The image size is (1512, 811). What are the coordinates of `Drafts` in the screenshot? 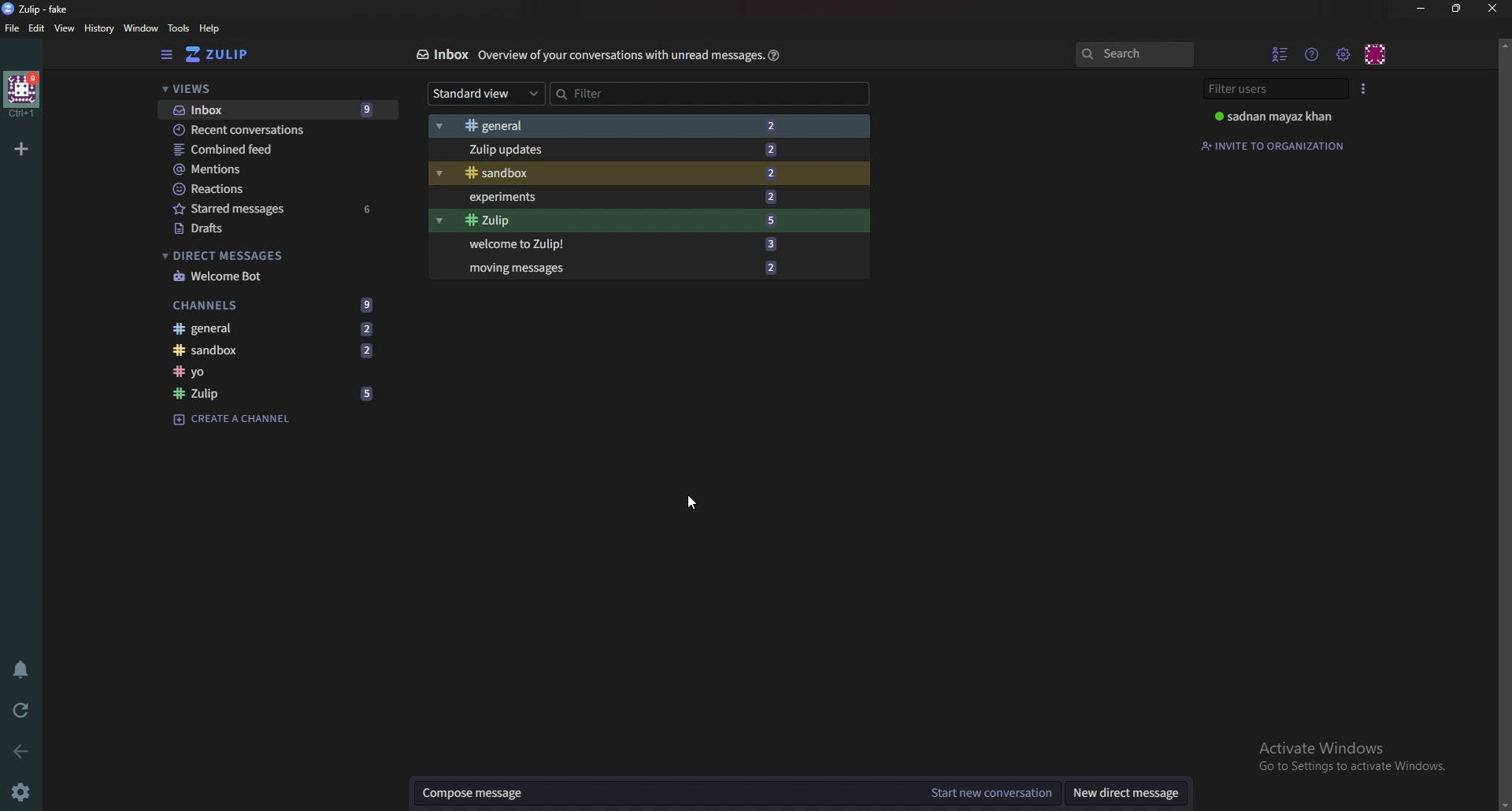 It's located at (270, 229).